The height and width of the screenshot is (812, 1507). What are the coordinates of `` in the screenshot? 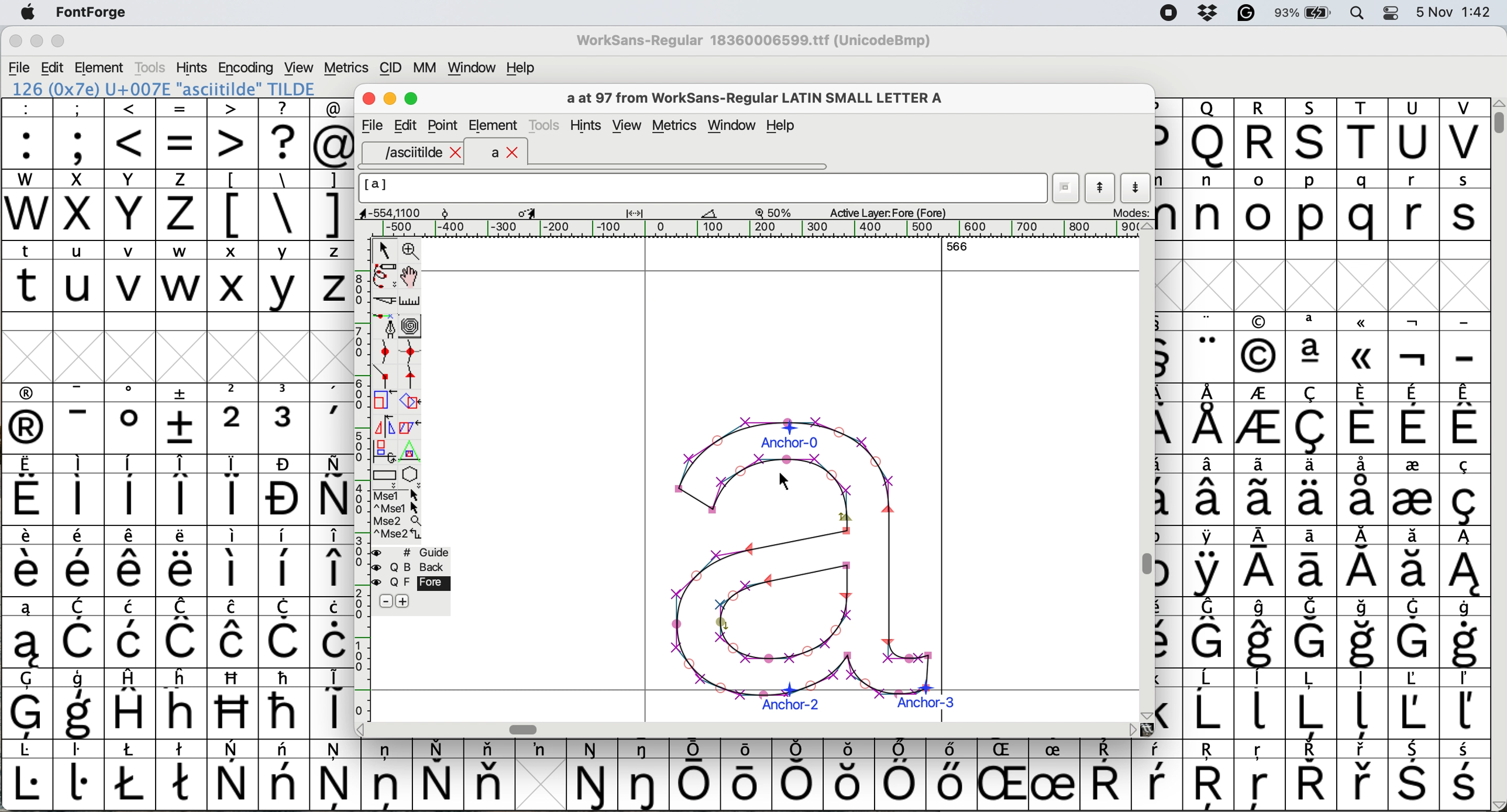 It's located at (1208, 133).